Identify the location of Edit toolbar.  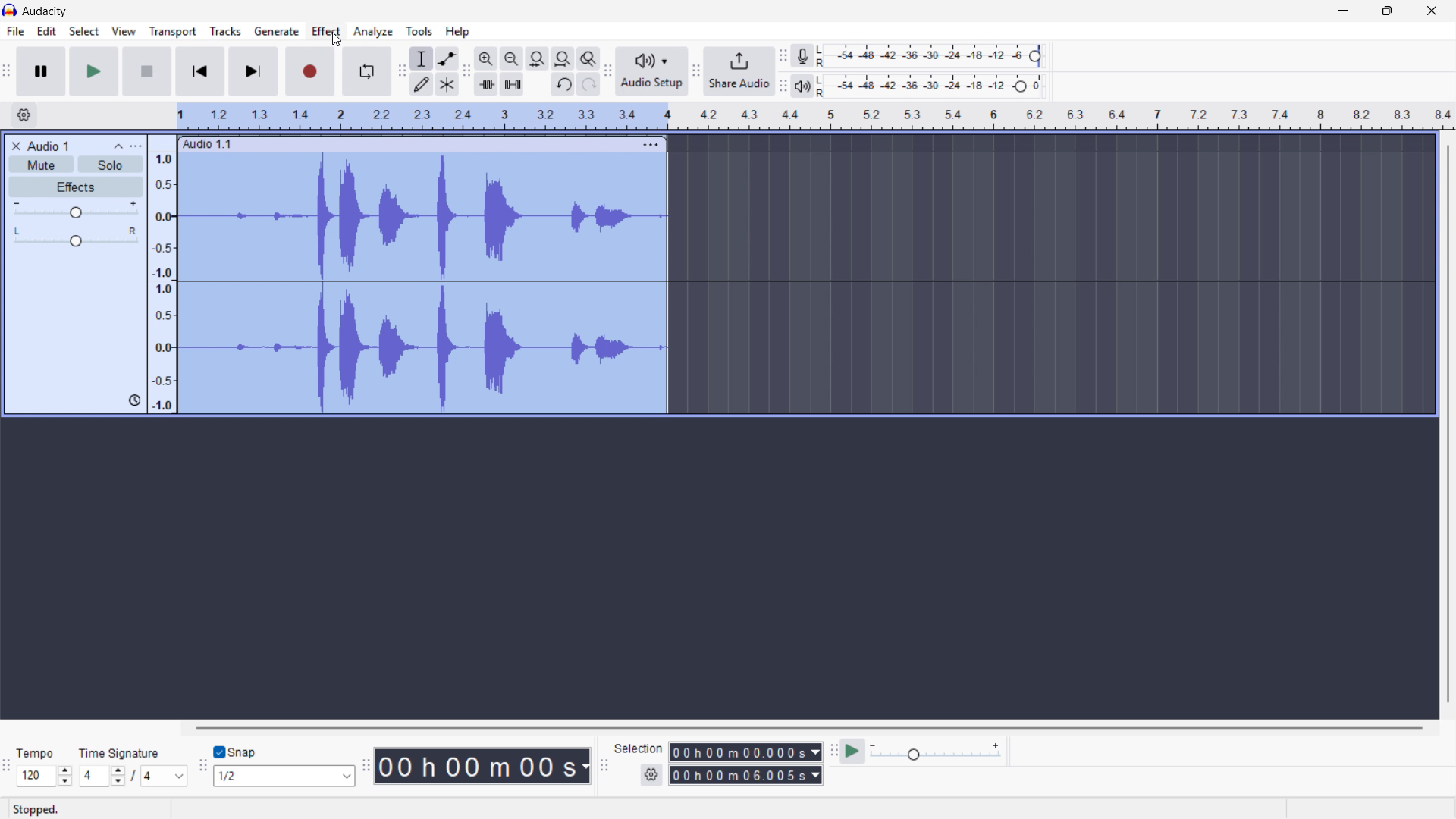
(466, 71).